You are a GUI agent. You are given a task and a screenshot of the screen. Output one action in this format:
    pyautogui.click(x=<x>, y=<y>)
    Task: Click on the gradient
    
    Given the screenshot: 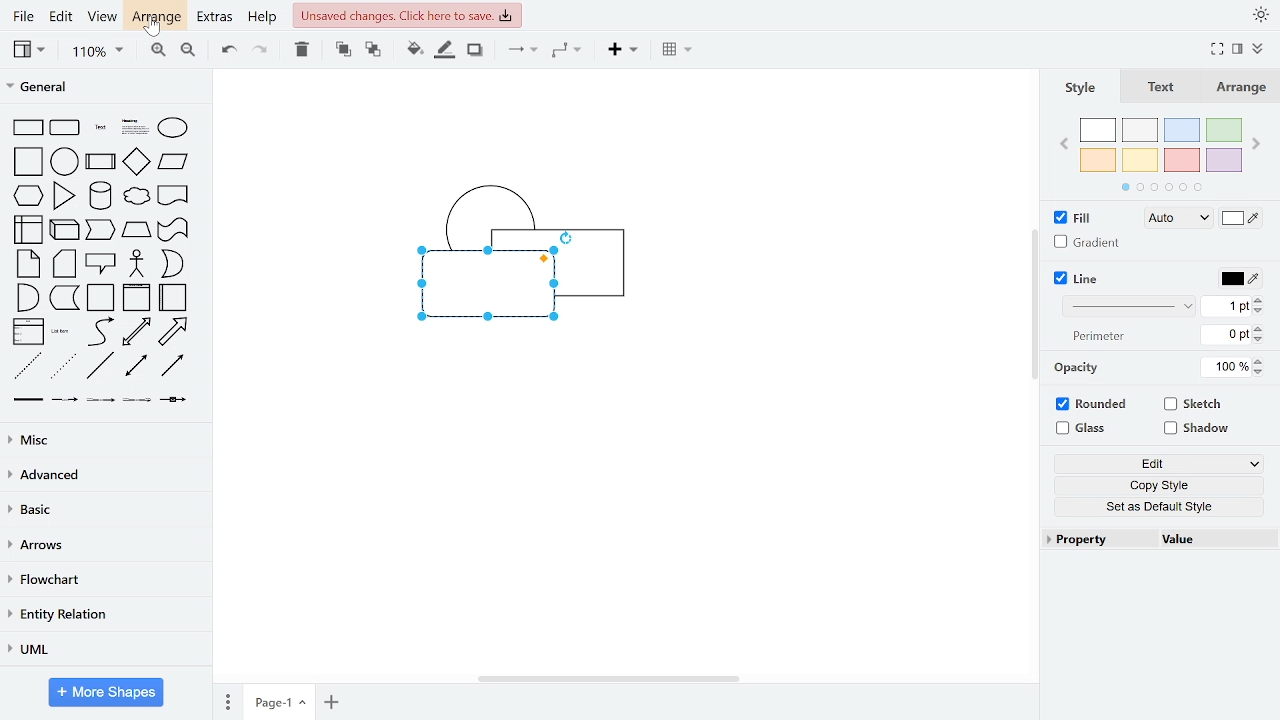 What is the action you would take?
    pyautogui.click(x=1086, y=242)
    